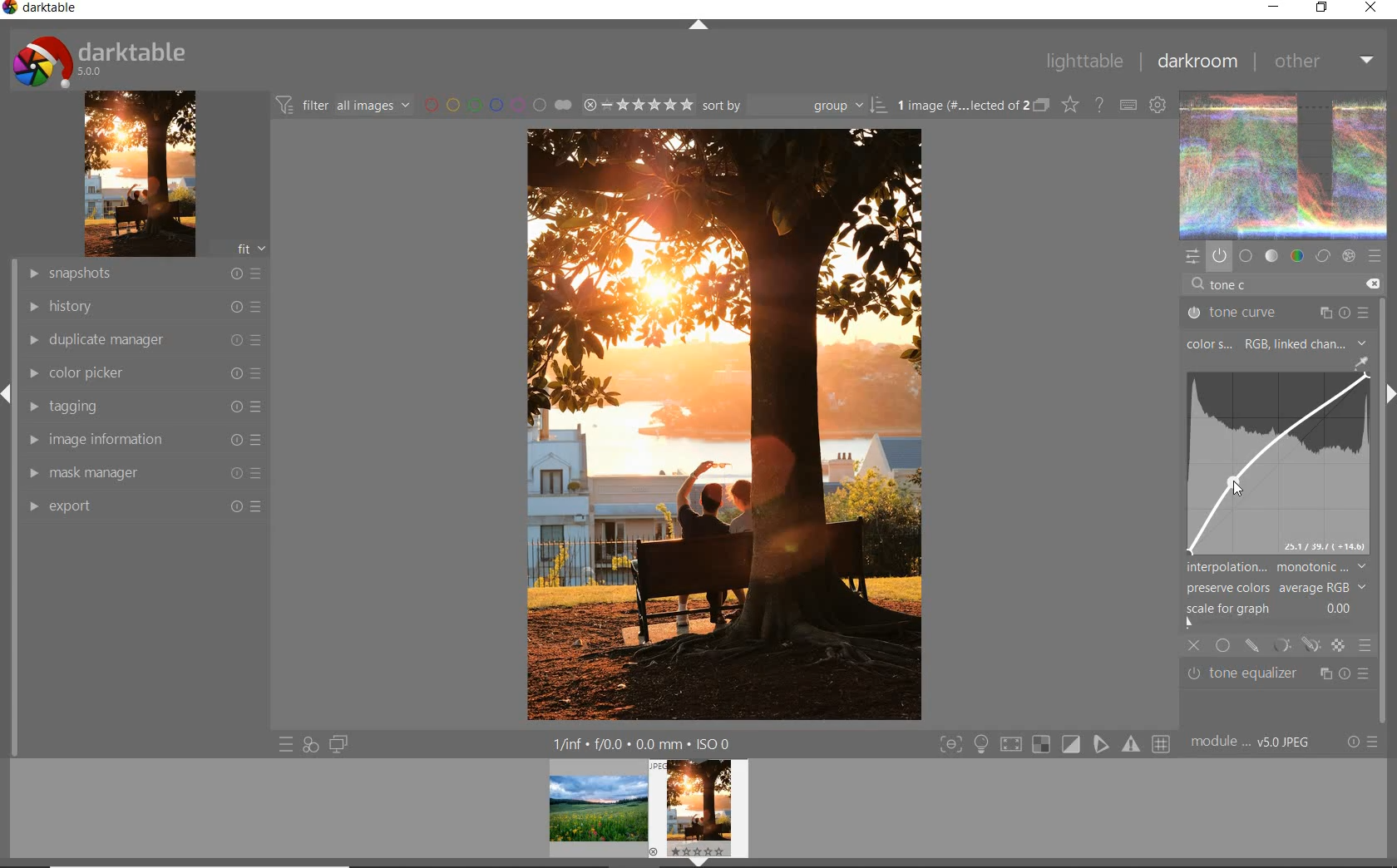  What do you see at coordinates (1278, 311) in the screenshot?
I see `TONE CURVE` at bounding box center [1278, 311].